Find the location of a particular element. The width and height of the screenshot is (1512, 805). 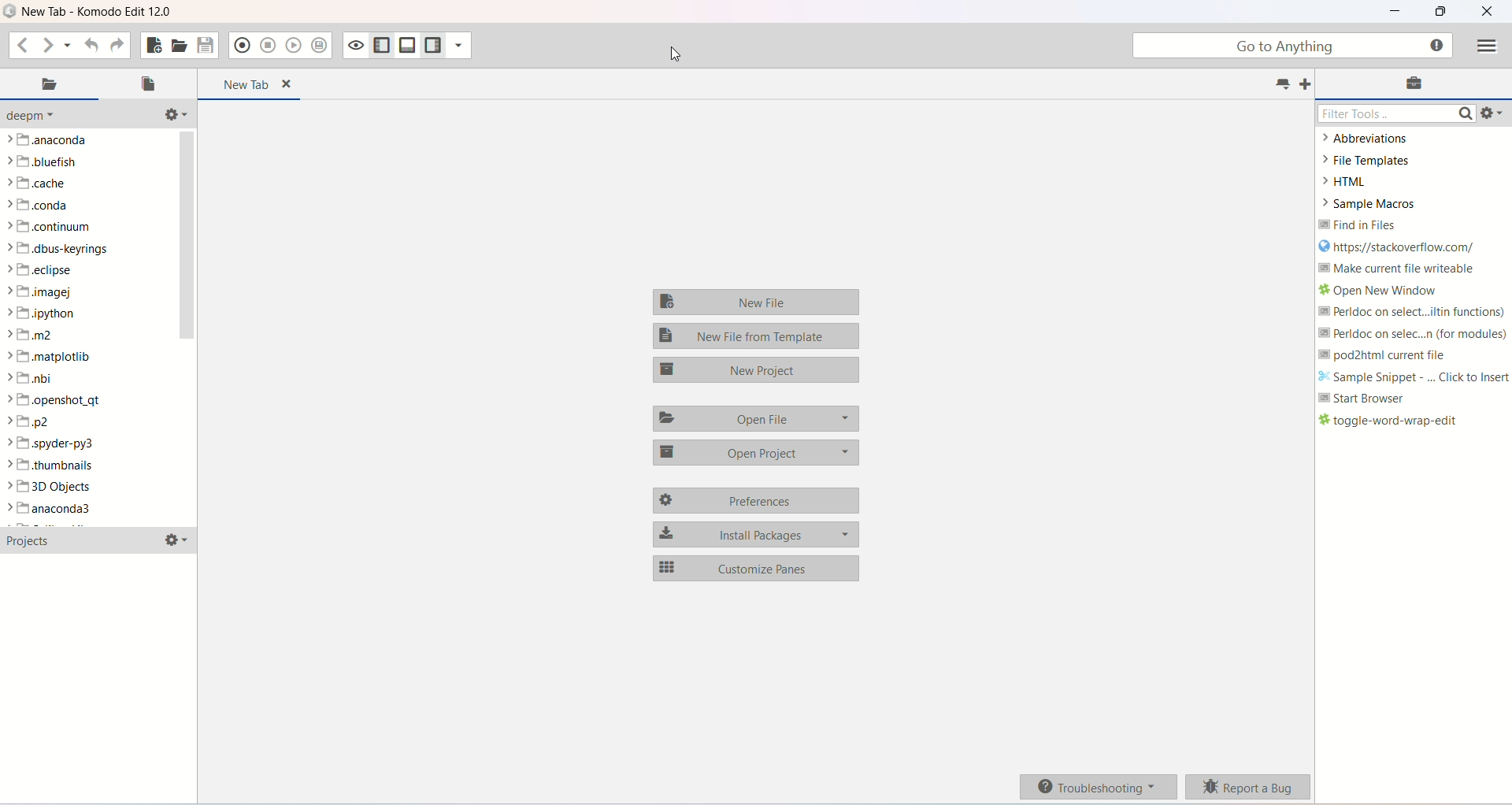

nbi is located at coordinates (29, 378).